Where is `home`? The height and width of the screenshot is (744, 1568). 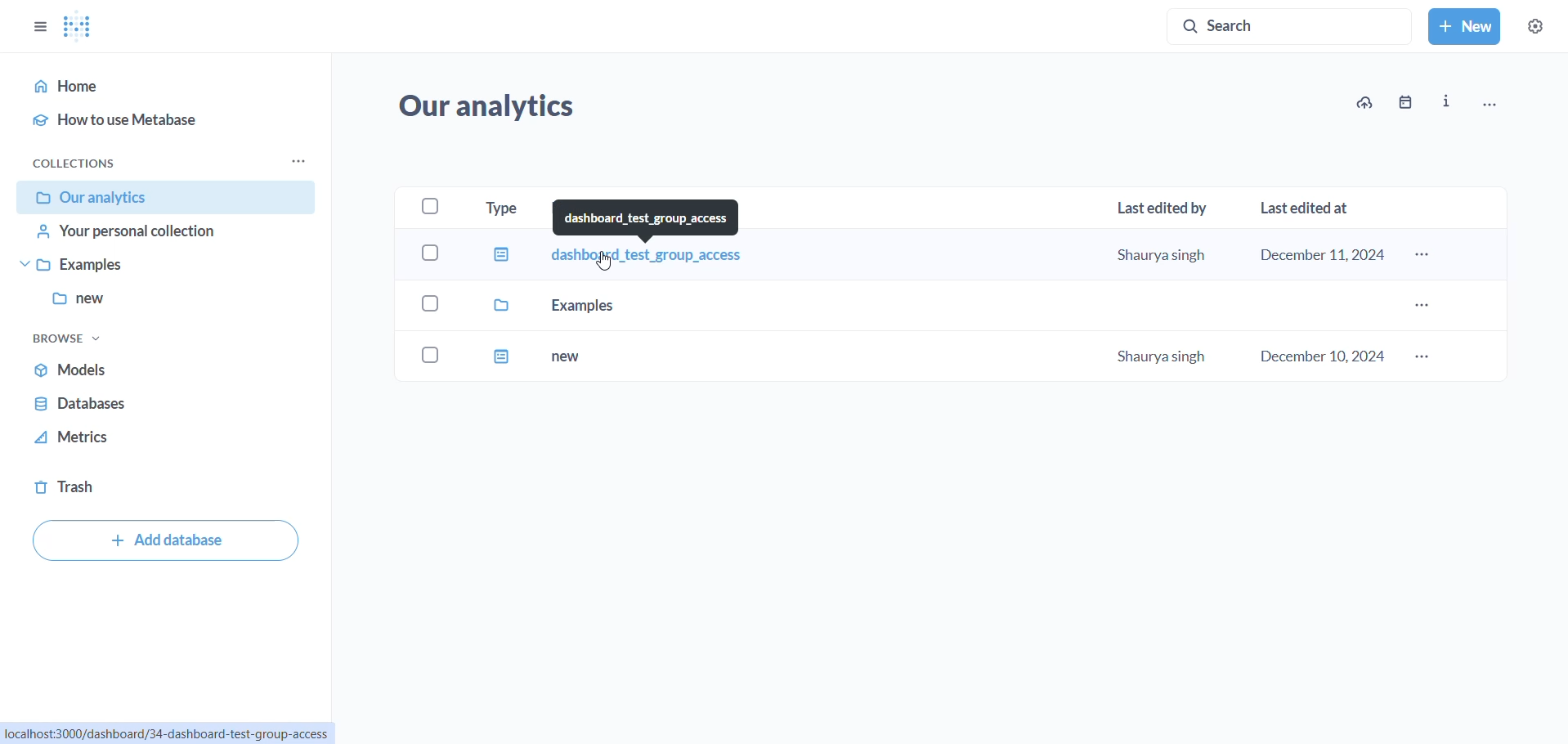 home is located at coordinates (161, 88).